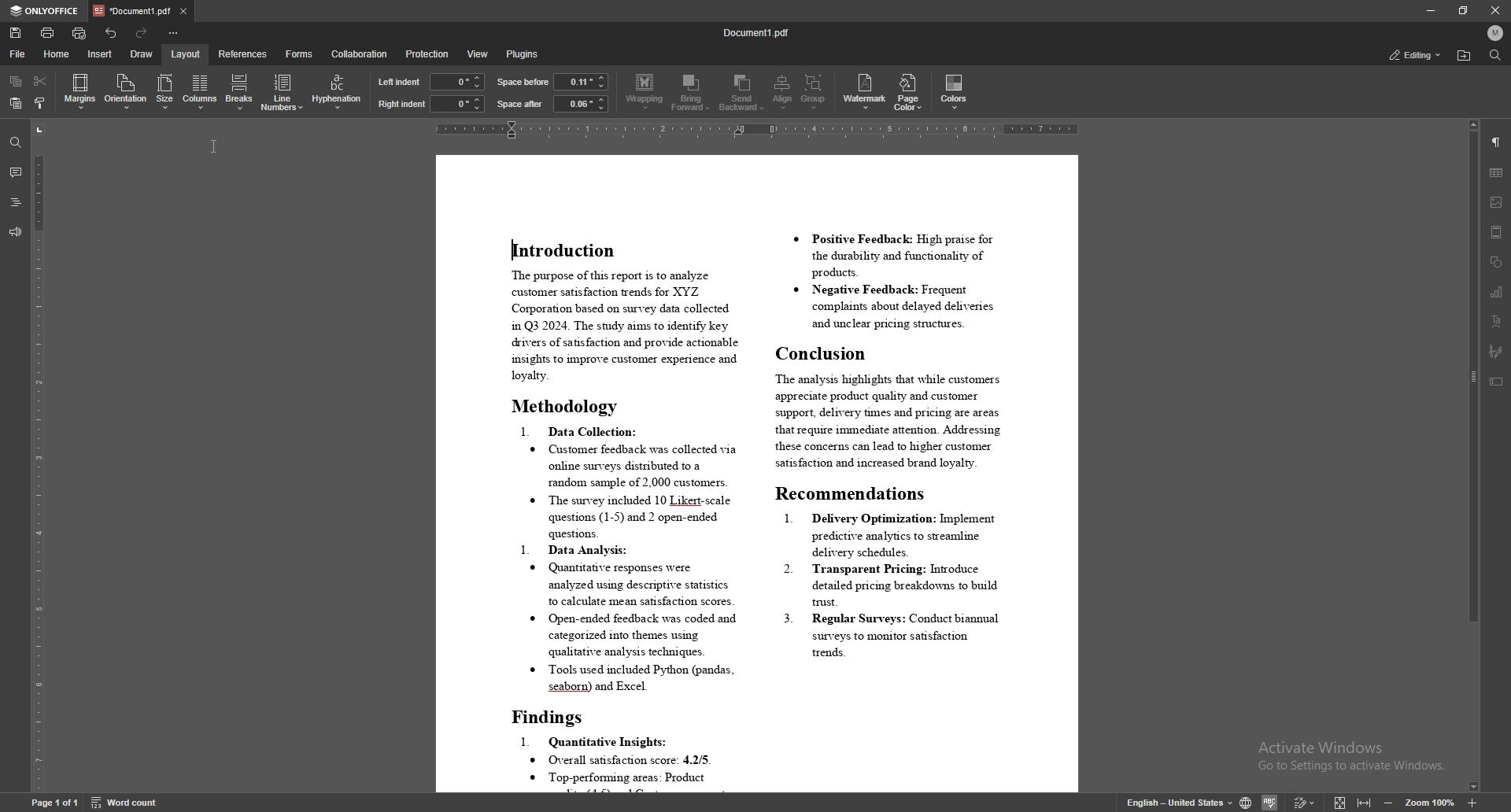 This screenshot has width=1511, height=812. I want to click on space after input, so click(581, 103).